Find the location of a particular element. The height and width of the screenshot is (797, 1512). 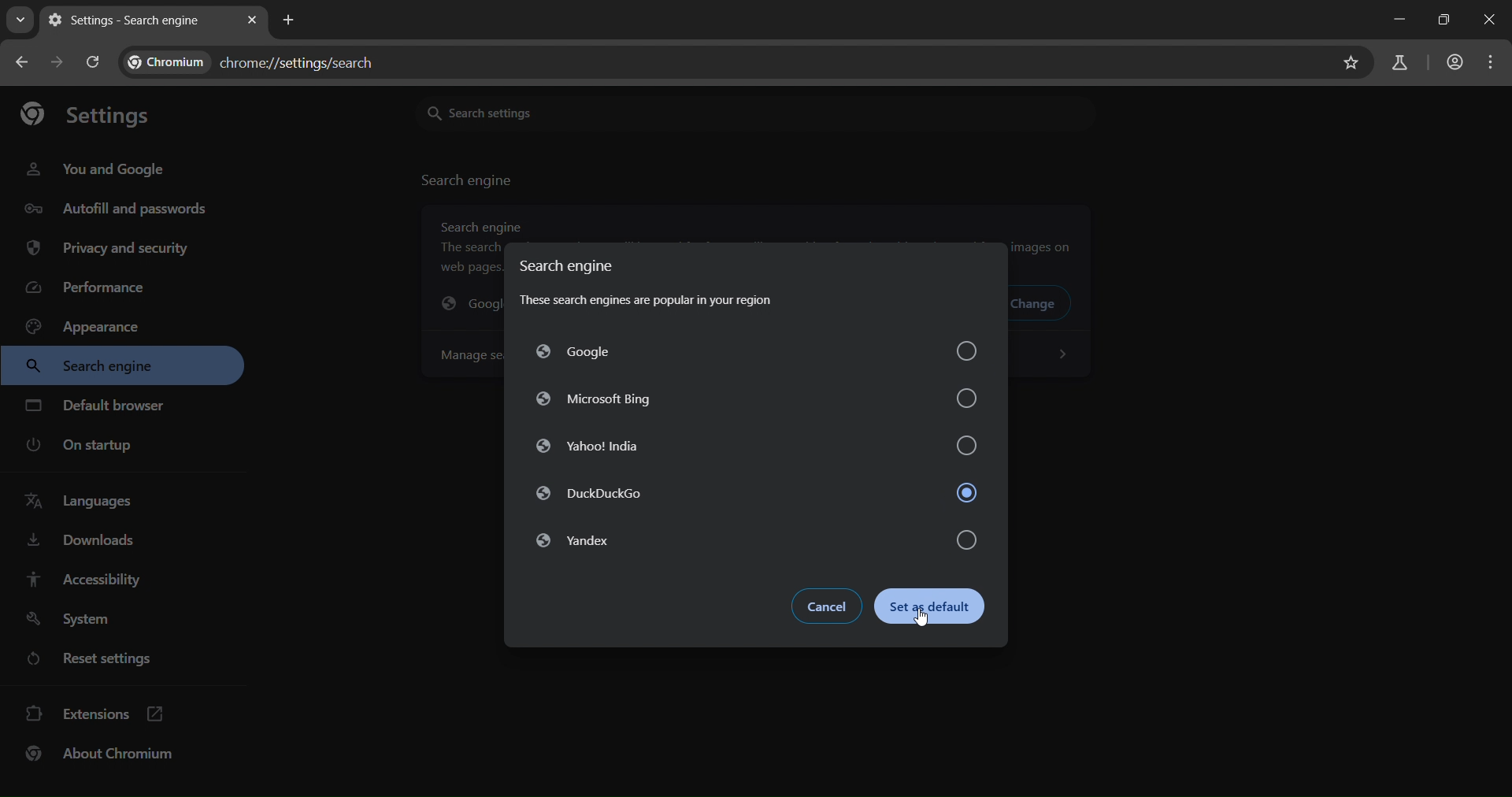

minimize is located at coordinates (1399, 18).